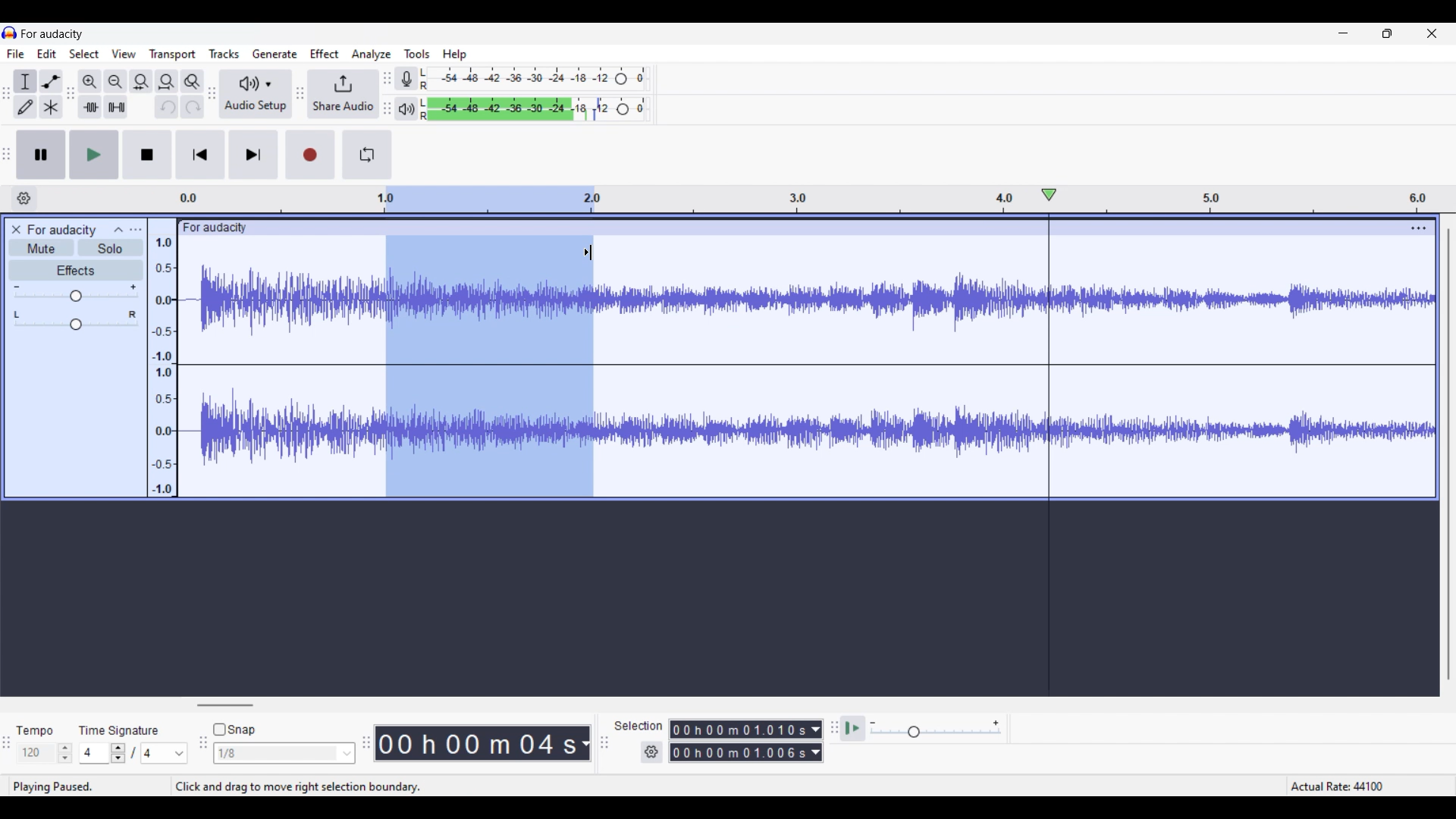 The width and height of the screenshot is (1456, 819). What do you see at coordinates (136, 230) in the screenshot?
I see `Open menu` at bounding box center [136, 230].